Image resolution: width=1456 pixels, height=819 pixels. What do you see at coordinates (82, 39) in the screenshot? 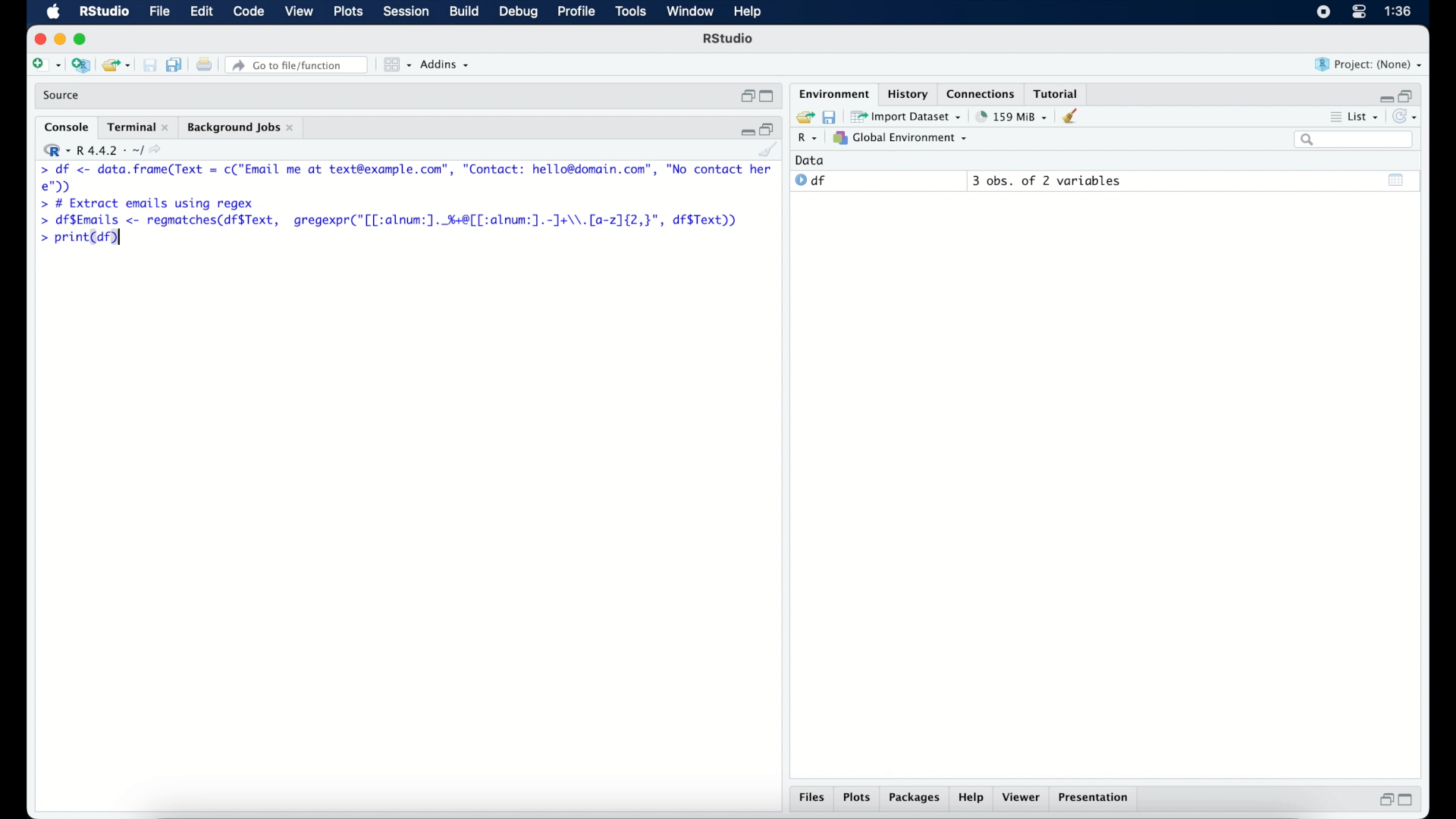
I see `maximize` at bounding box center [82, 39].